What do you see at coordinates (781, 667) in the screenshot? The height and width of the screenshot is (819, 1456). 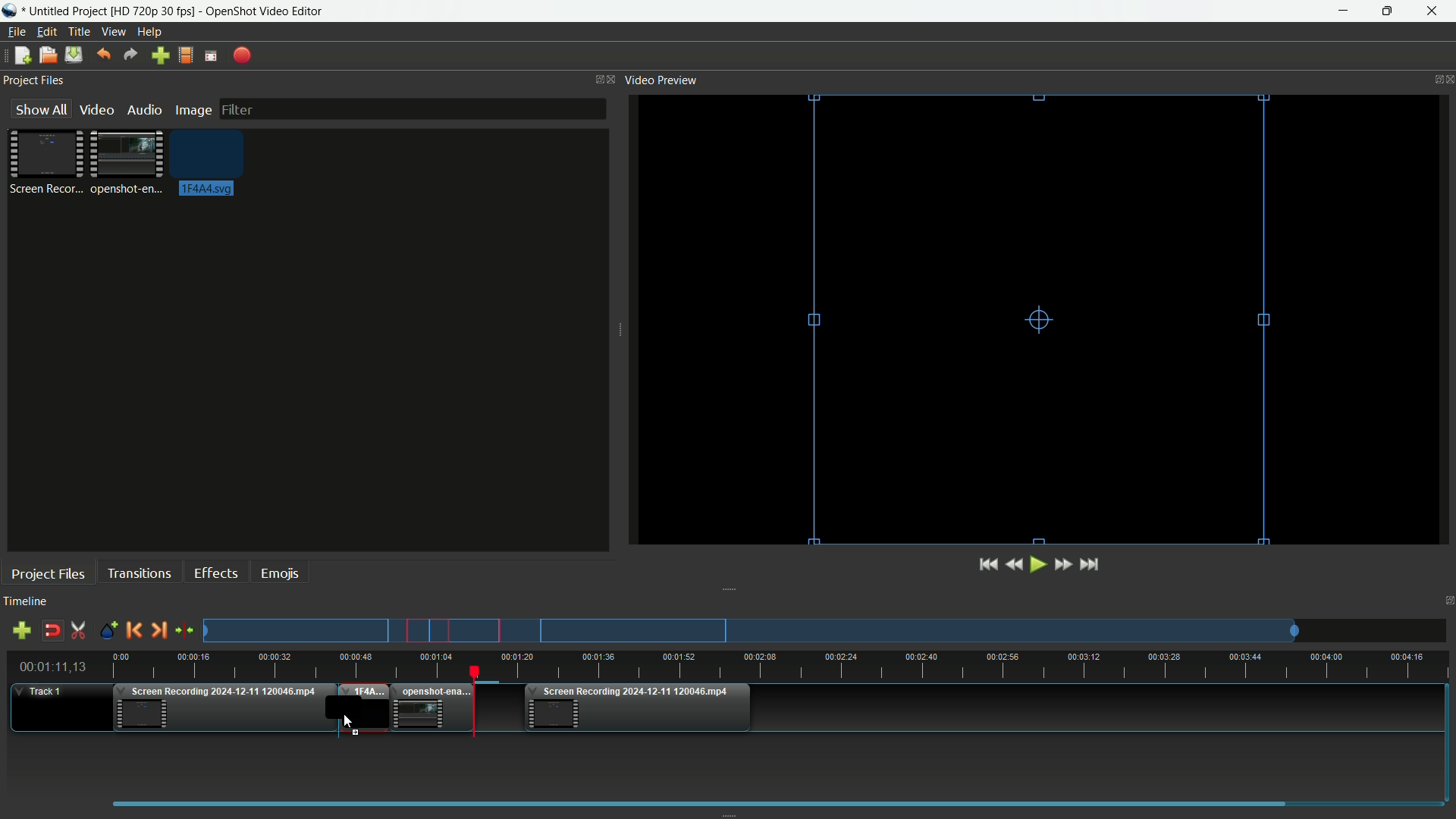 I see `timeline ruler` at bounding box center [781, 667].